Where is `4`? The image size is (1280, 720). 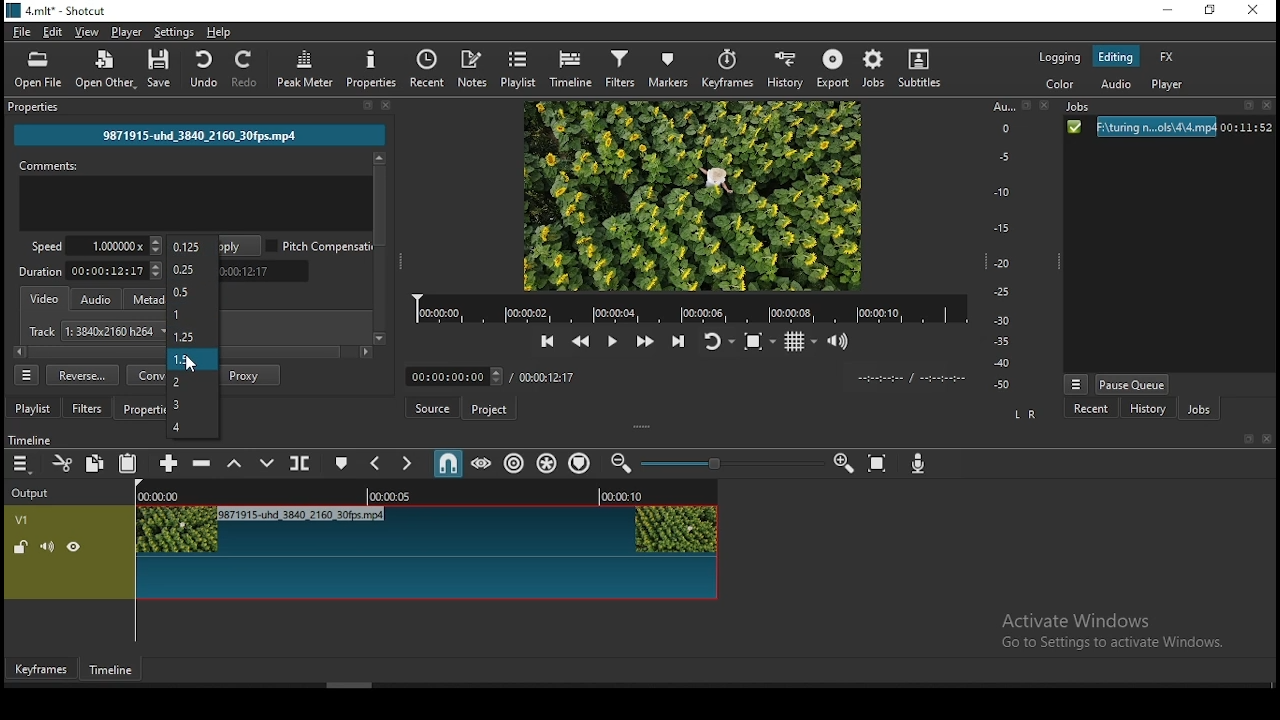 4 is located at coordinates (192, 427).